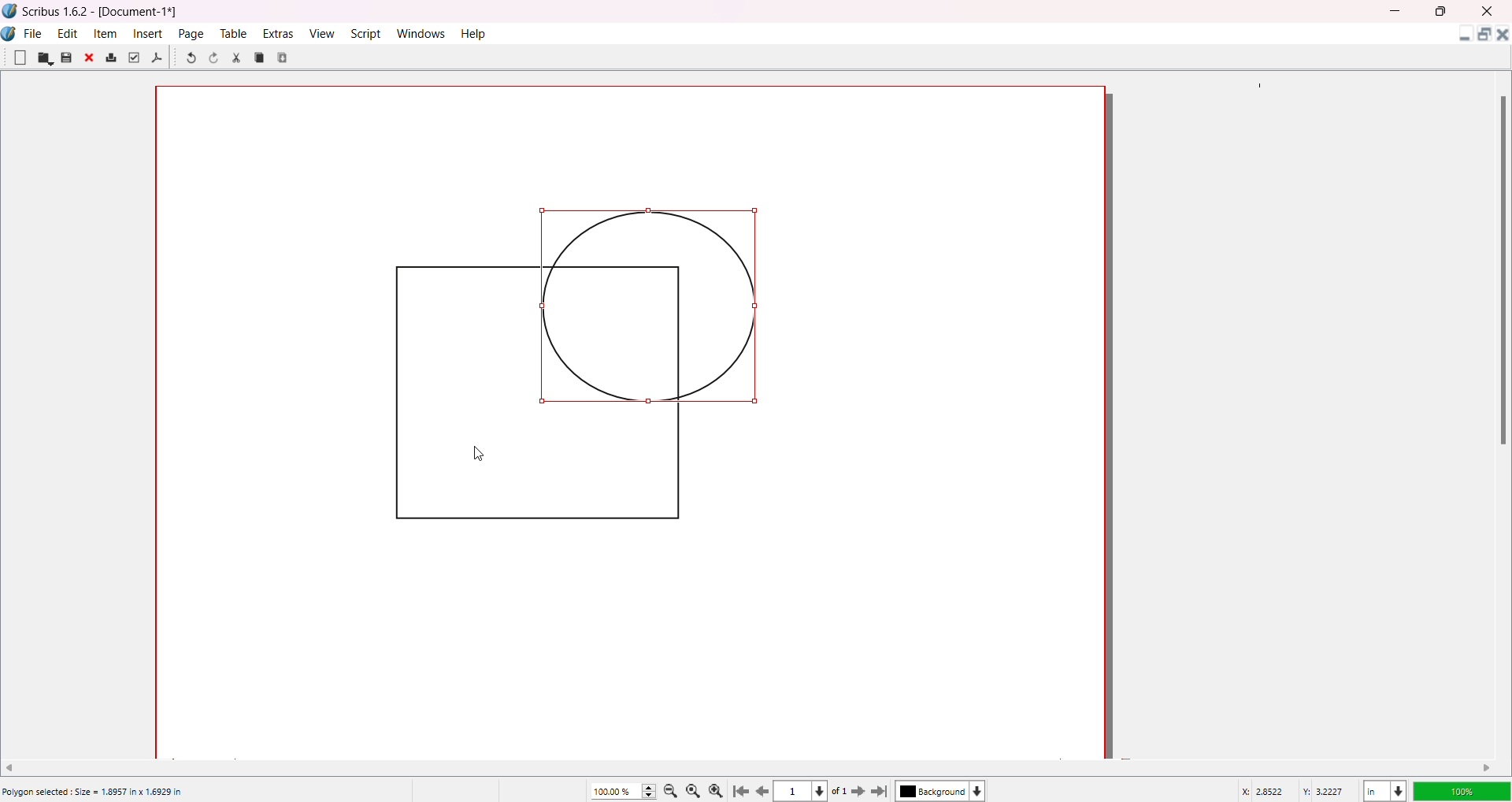 Image resolution: width=1512 pixels, height=802 pixels. Describe the element at coordinates (1295, 790) in the screenshot. I see `Latitude/Longitude` at that location.